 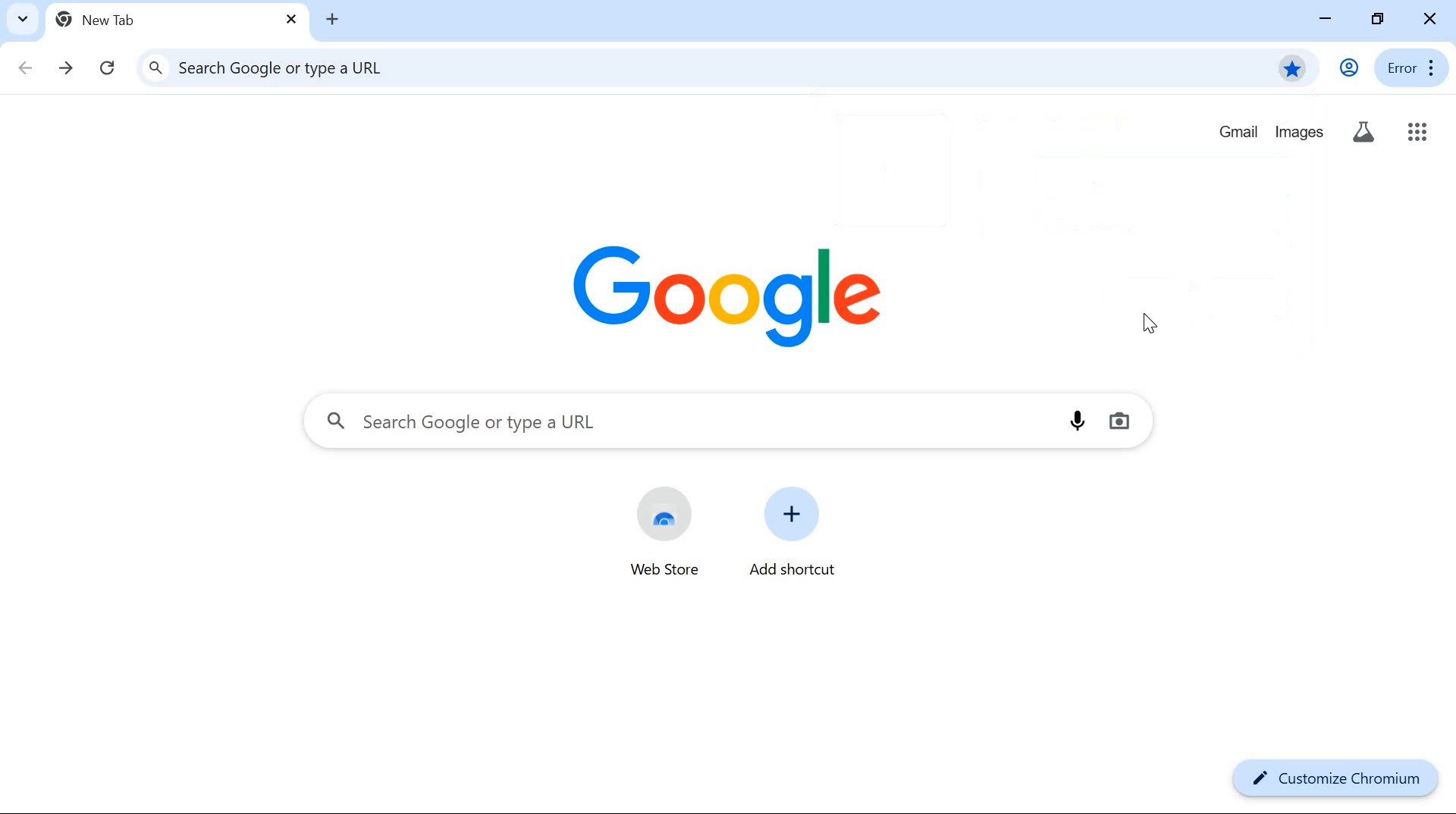 What do you see at coordinates (673, 67) in the screenshot?
I see `search google or type a URL` at bounding box center [673, 67].